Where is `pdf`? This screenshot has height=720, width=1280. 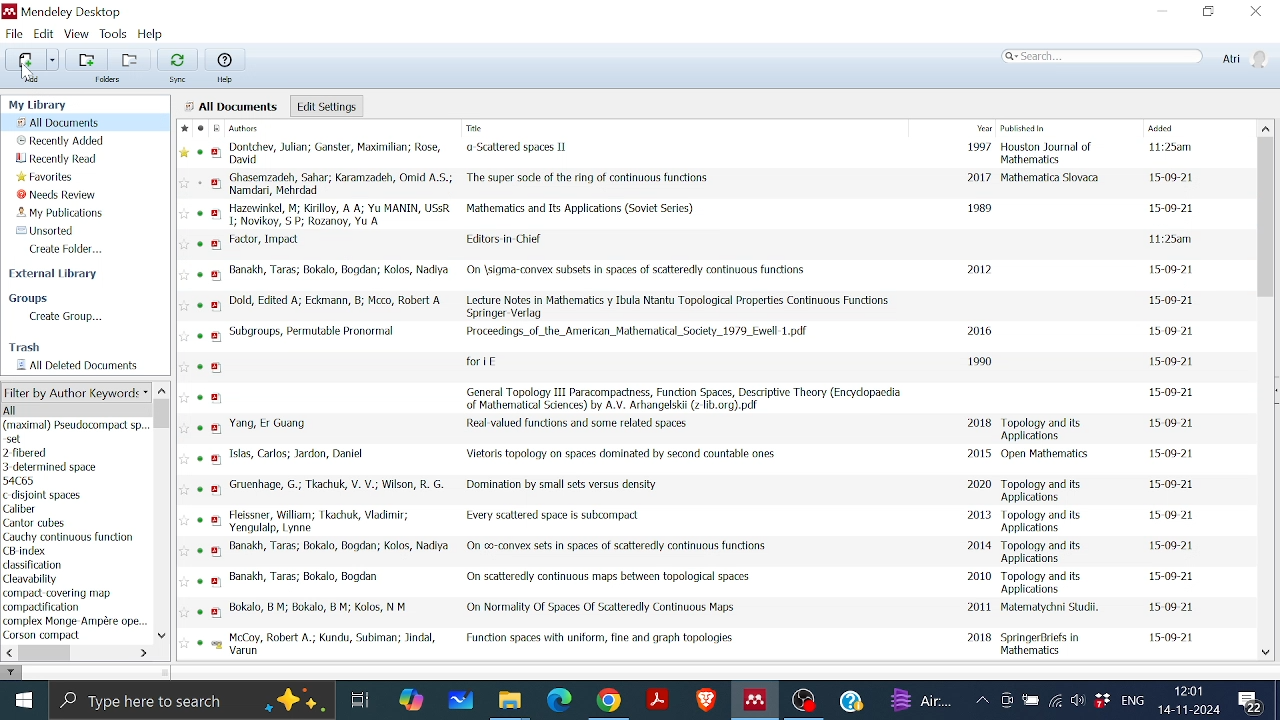
pdf is located at coordinates (218, 460).